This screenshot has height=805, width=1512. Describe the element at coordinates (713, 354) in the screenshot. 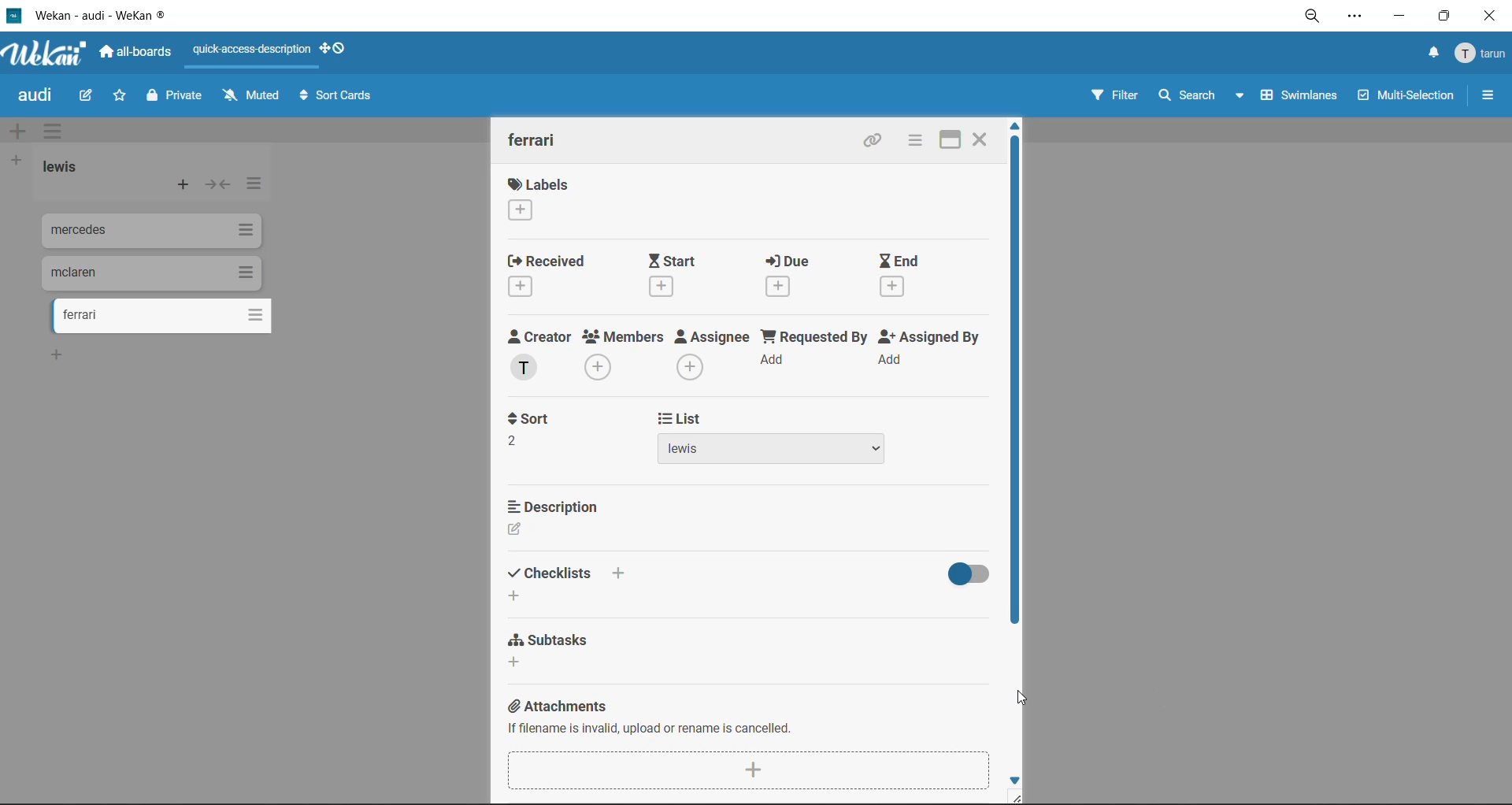

I see `assignee` at that location.